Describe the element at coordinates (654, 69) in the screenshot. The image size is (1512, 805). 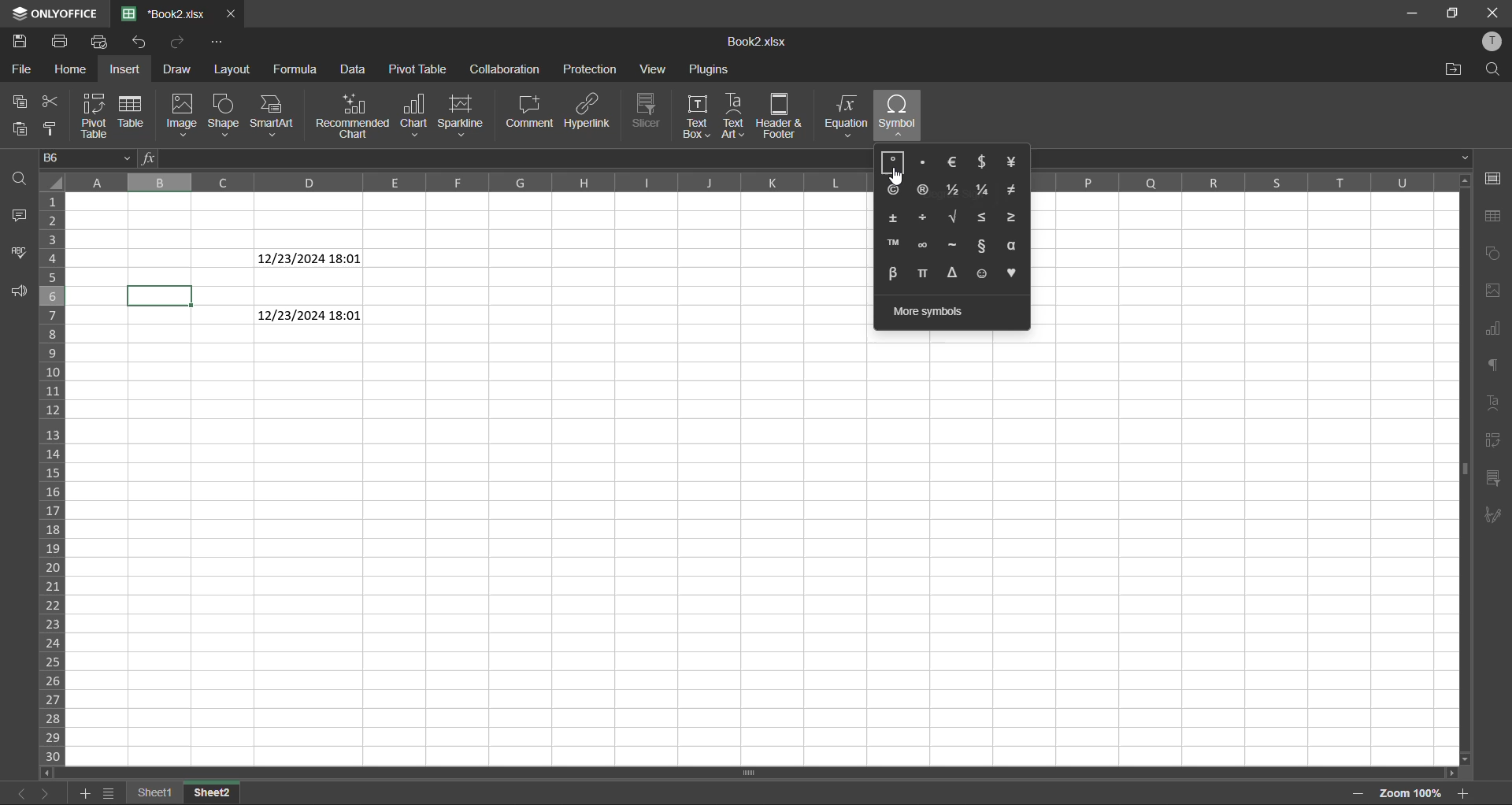
I see `view` at that location.